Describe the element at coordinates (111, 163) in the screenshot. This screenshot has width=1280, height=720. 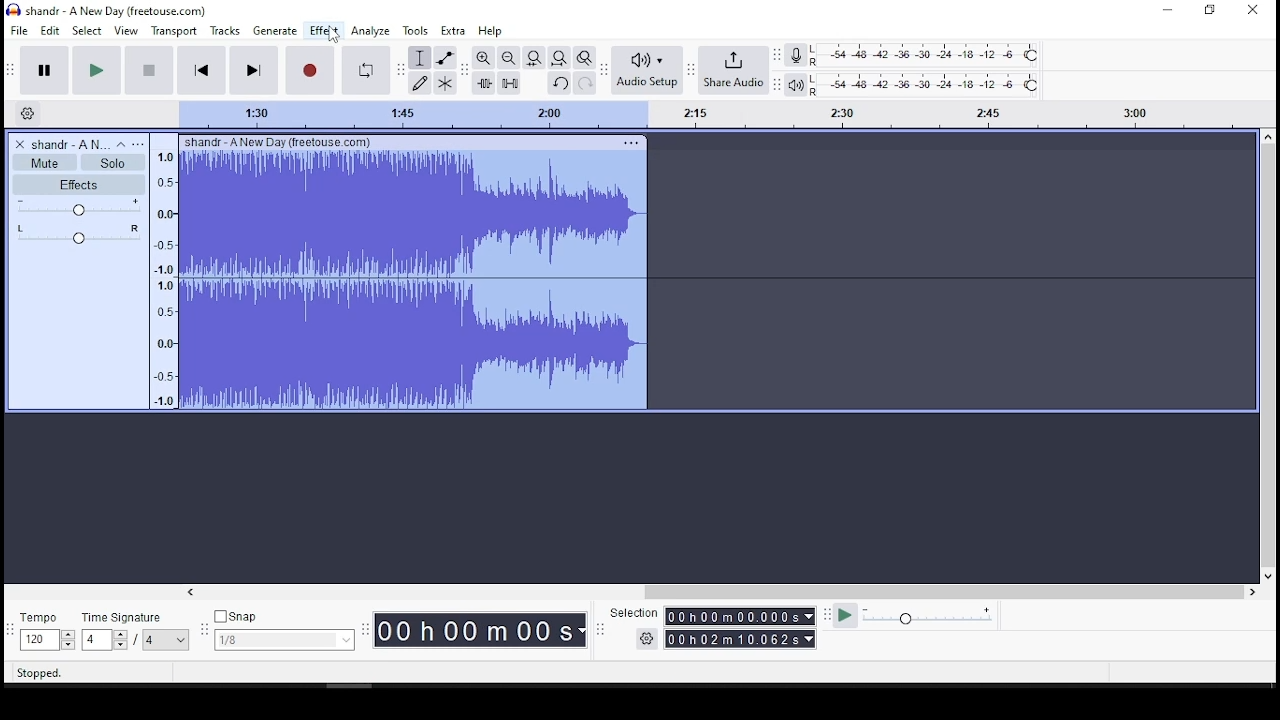
I see `solo` at that location.